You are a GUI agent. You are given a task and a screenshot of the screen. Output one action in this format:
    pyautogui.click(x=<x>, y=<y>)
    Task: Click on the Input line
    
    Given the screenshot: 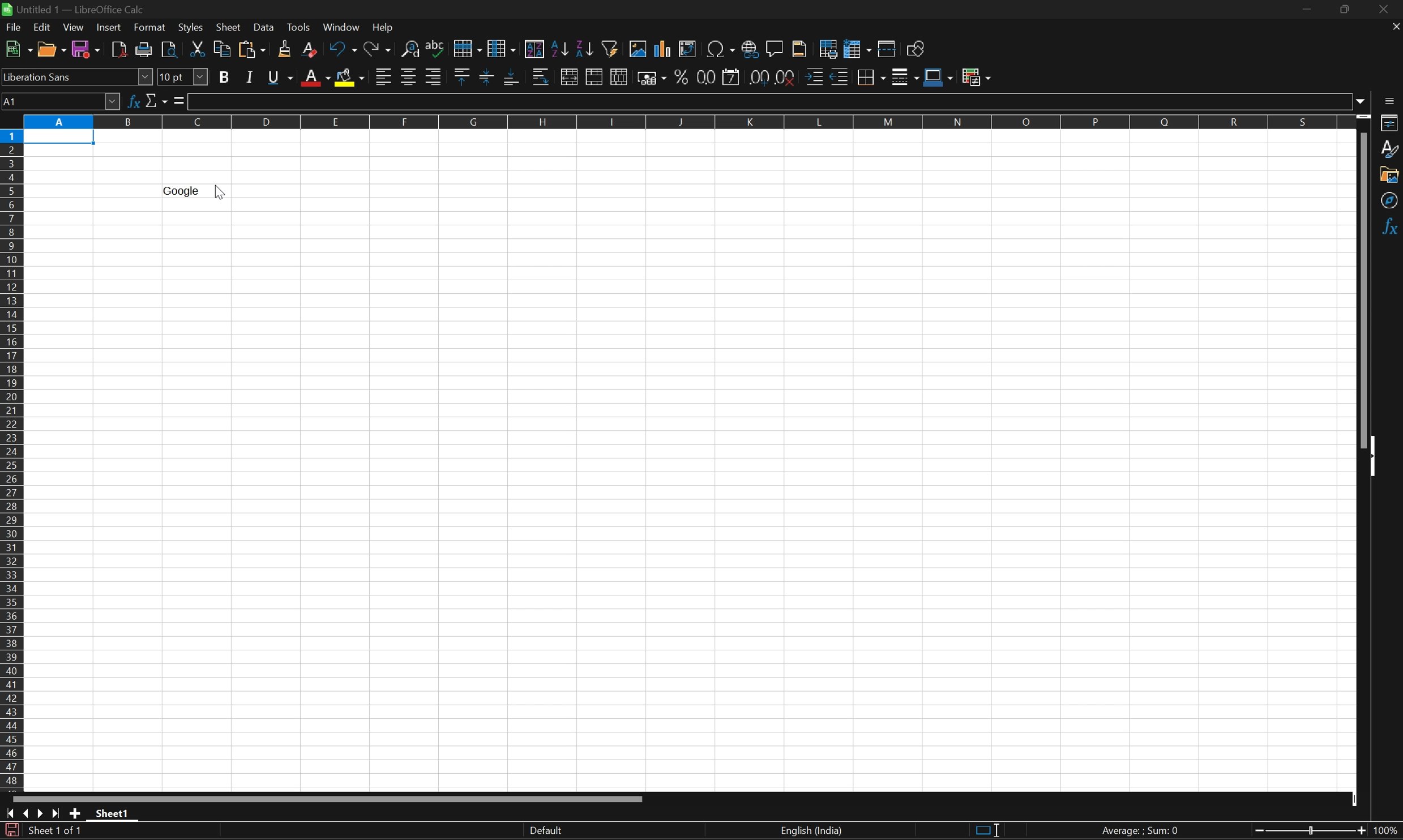 What is the action you would take?
    pyautogui.click(x=770, y=101)
    